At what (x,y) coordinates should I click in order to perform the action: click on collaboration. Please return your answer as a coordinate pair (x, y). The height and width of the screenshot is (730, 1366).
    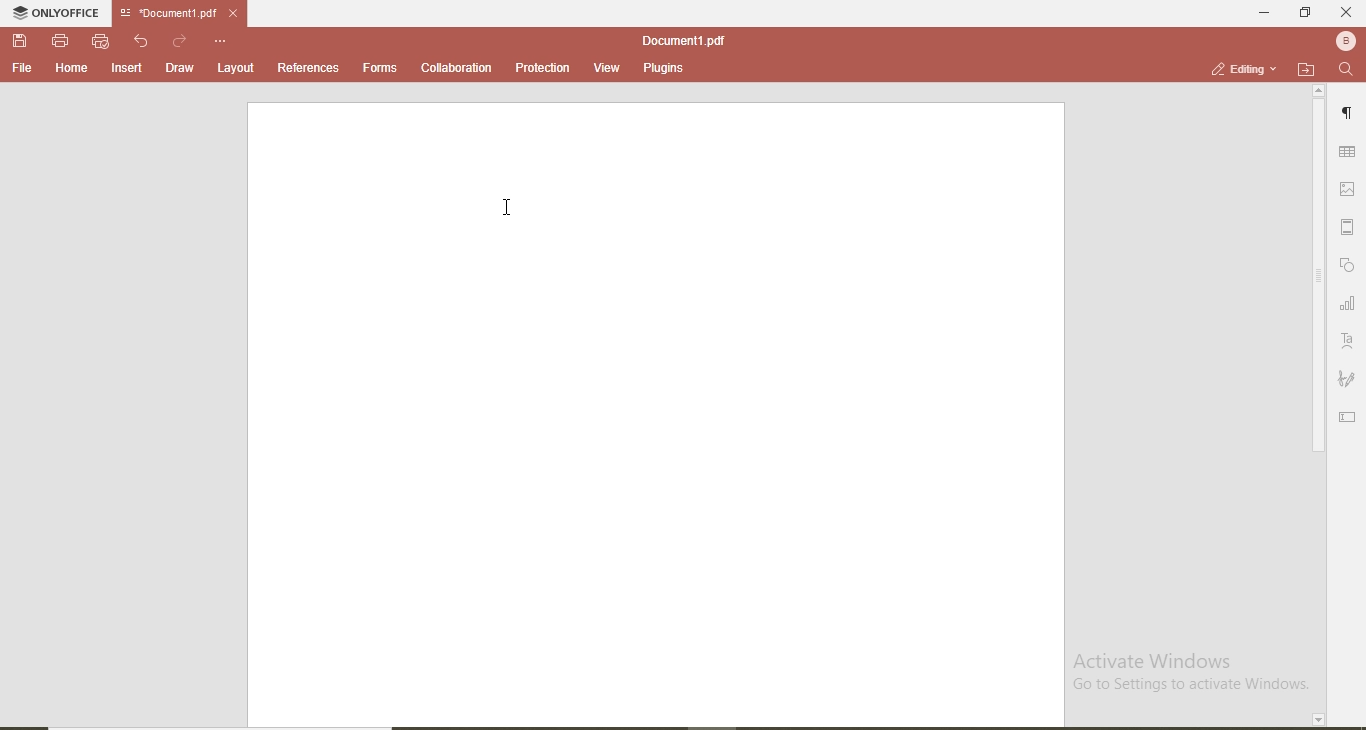
    Looking at the image, I should click on (458, 67).